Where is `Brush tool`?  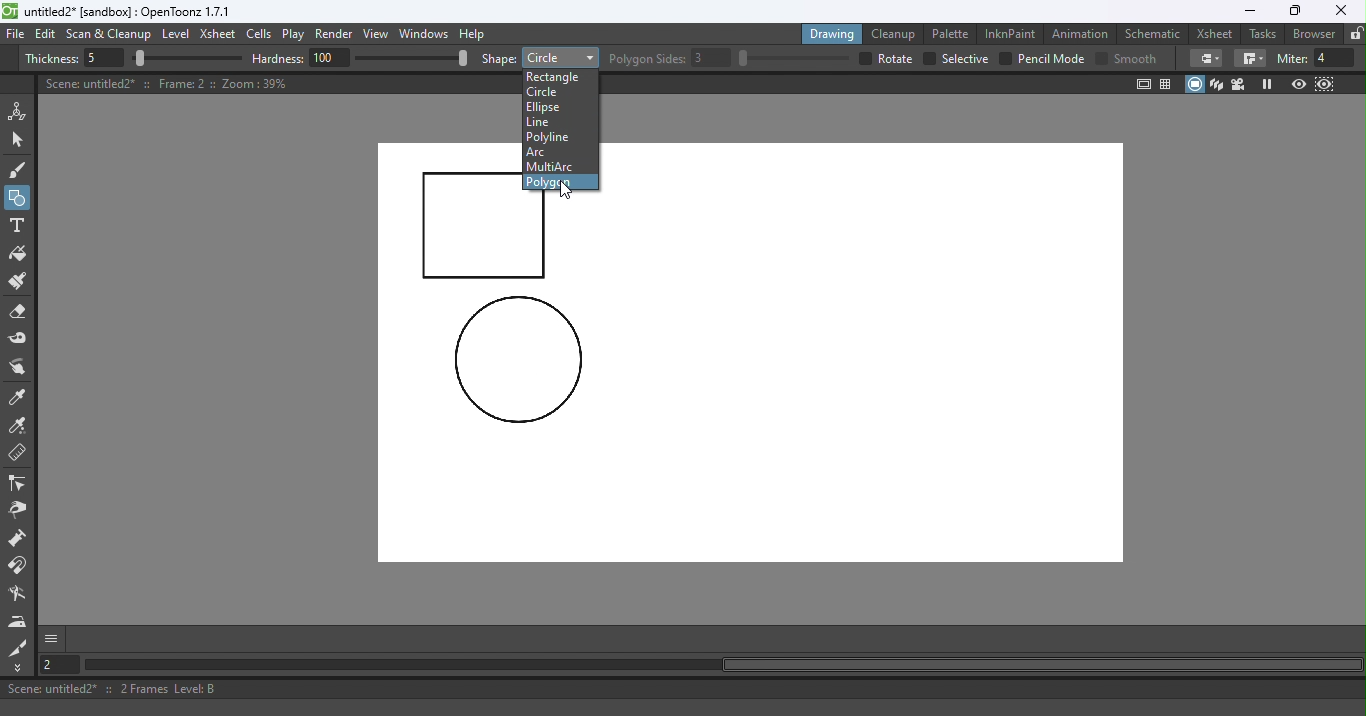 Brush tool is located at coordinates (22, 169).